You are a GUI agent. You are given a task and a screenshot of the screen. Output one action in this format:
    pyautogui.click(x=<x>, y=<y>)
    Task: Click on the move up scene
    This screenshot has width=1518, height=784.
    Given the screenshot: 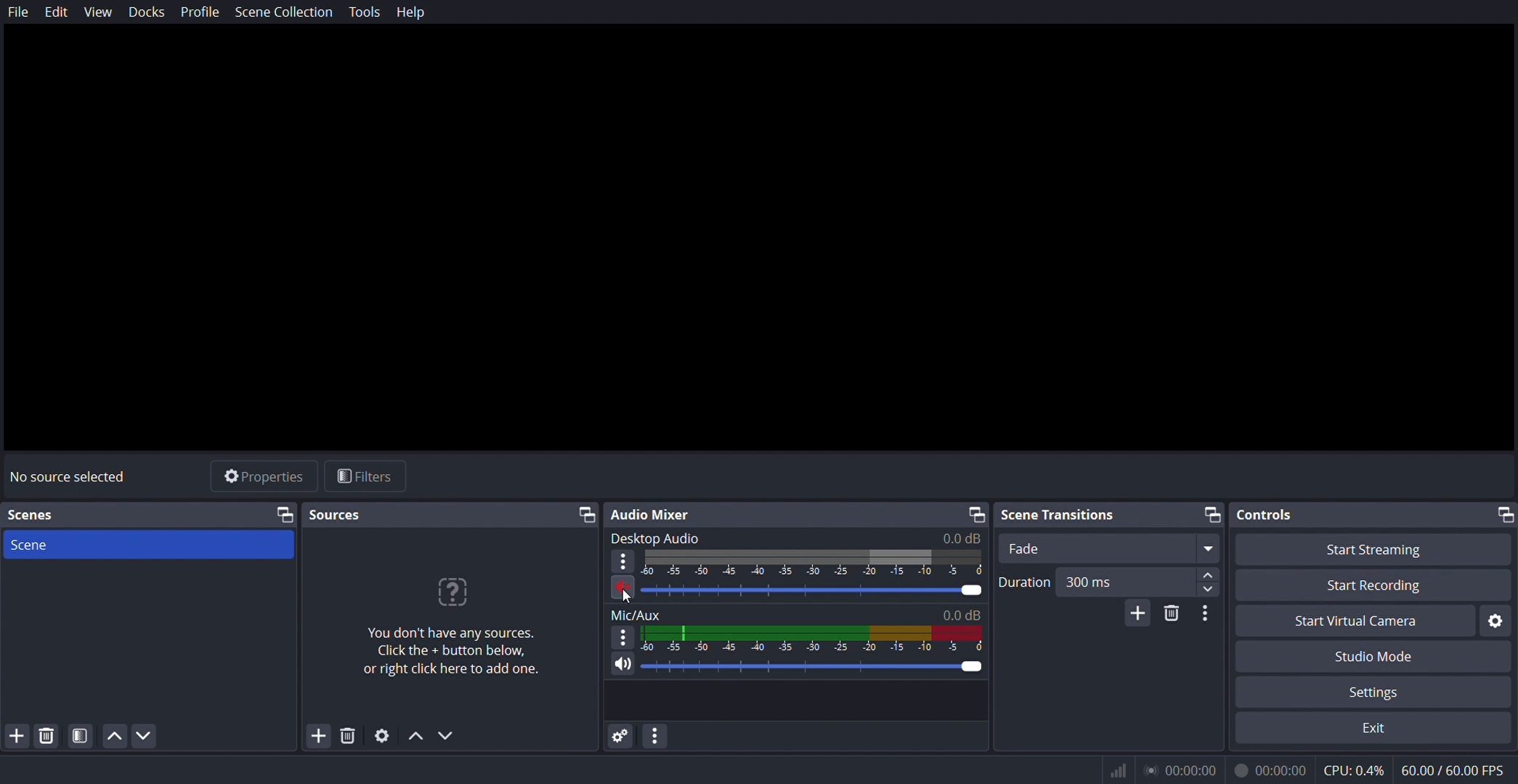 What is the action you would take?
    pyautogui.click(x=115, y=735)
    